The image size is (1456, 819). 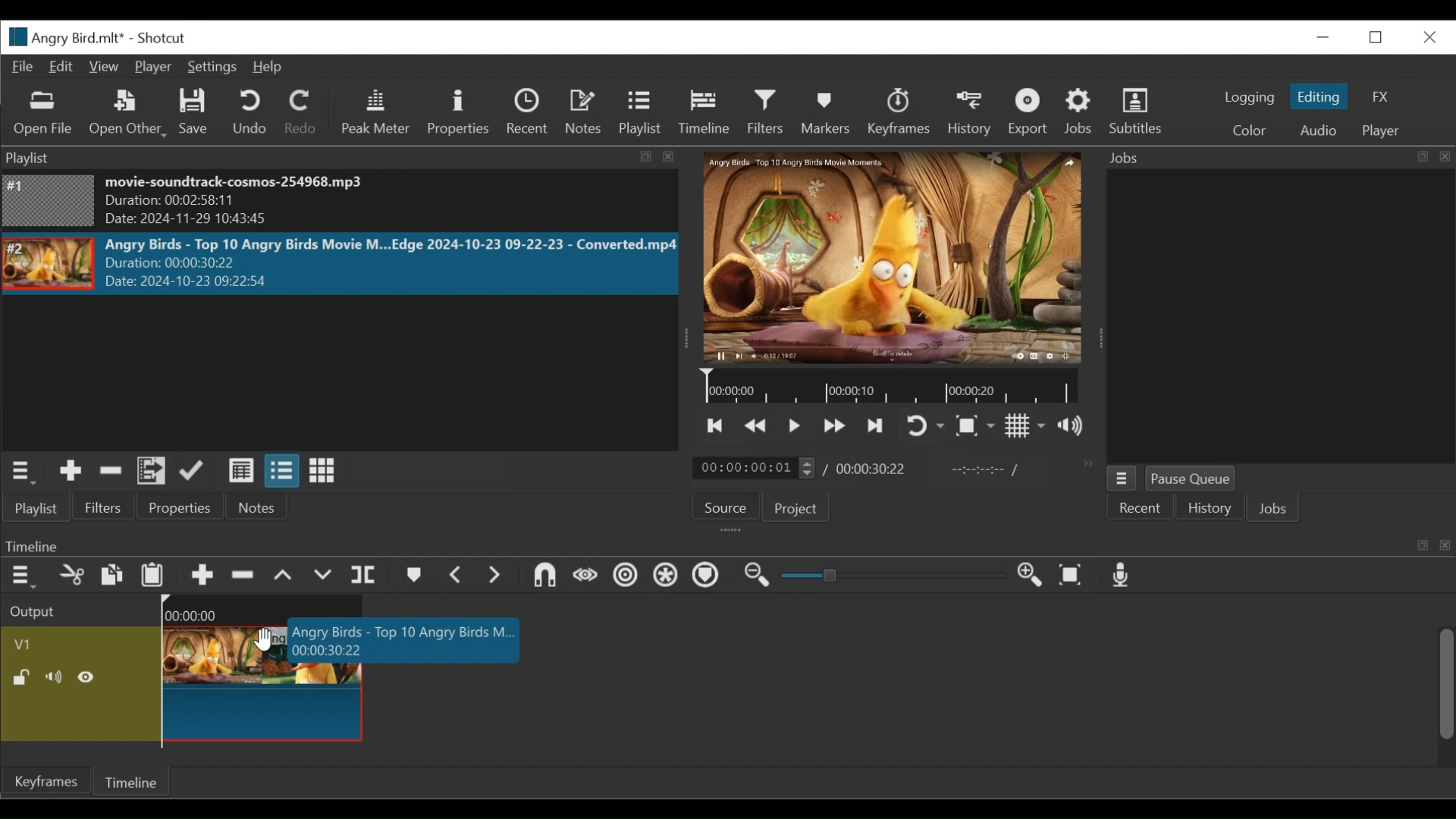 What do you see at coordinates (1122, 576) in the screenshot?
I see `Record audio` at bounding box center [1122, 576].